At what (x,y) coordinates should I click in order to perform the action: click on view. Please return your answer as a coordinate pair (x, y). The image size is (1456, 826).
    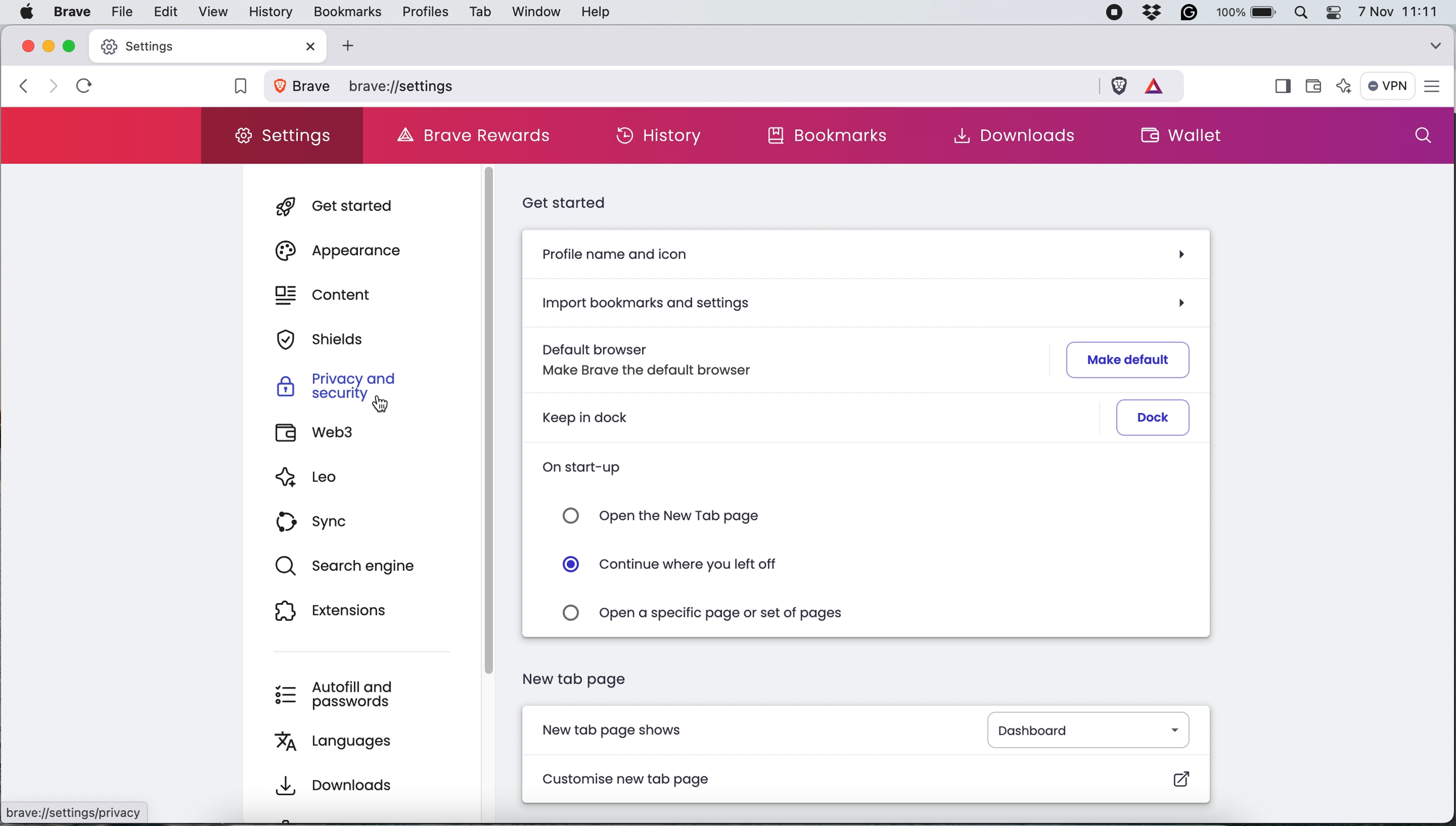
    Looking at the image, I should click on (210, 12).